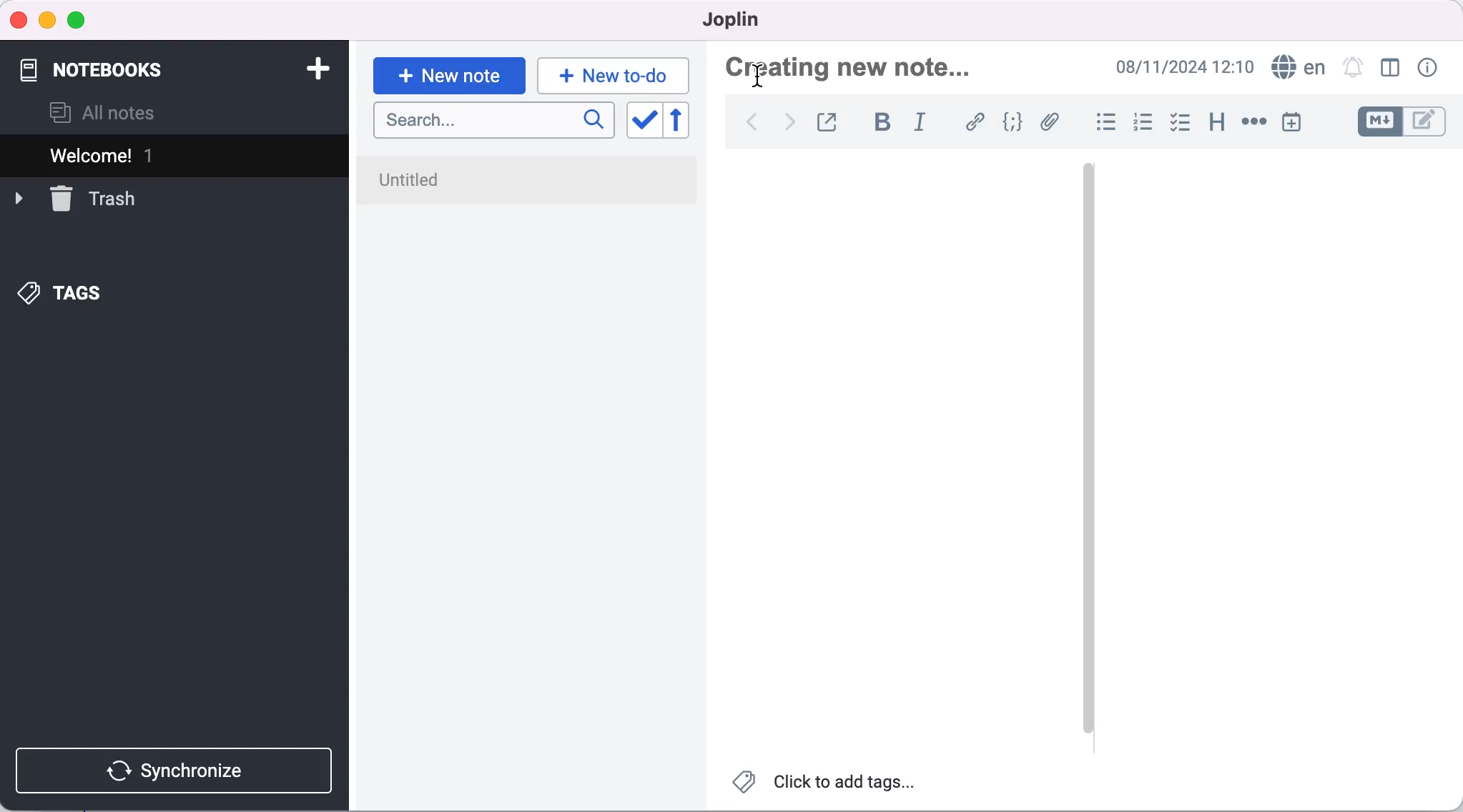 This screenshot has width=1463, height=812. Describe the element at coordinates (94, 199) in the screenshot. I see `trash` at that location.